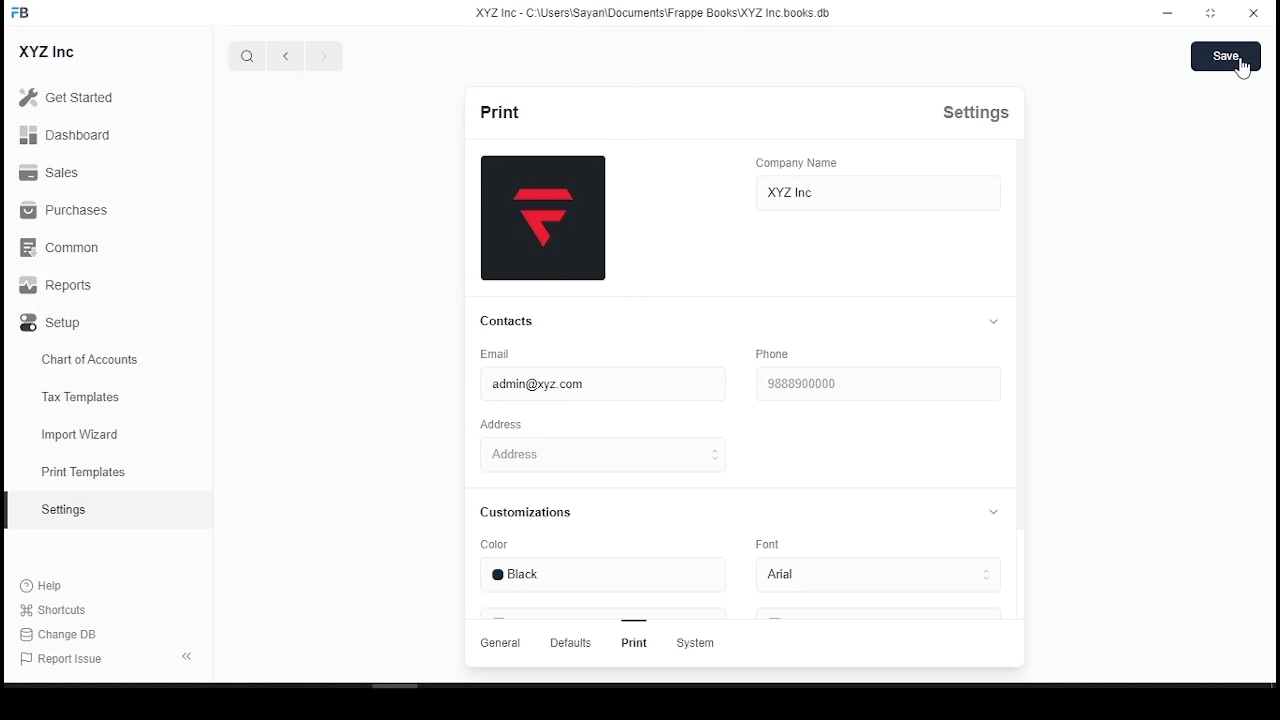 The height and width of the screenshot is (720, 1280). I want to click on Help, so click(44, 587).